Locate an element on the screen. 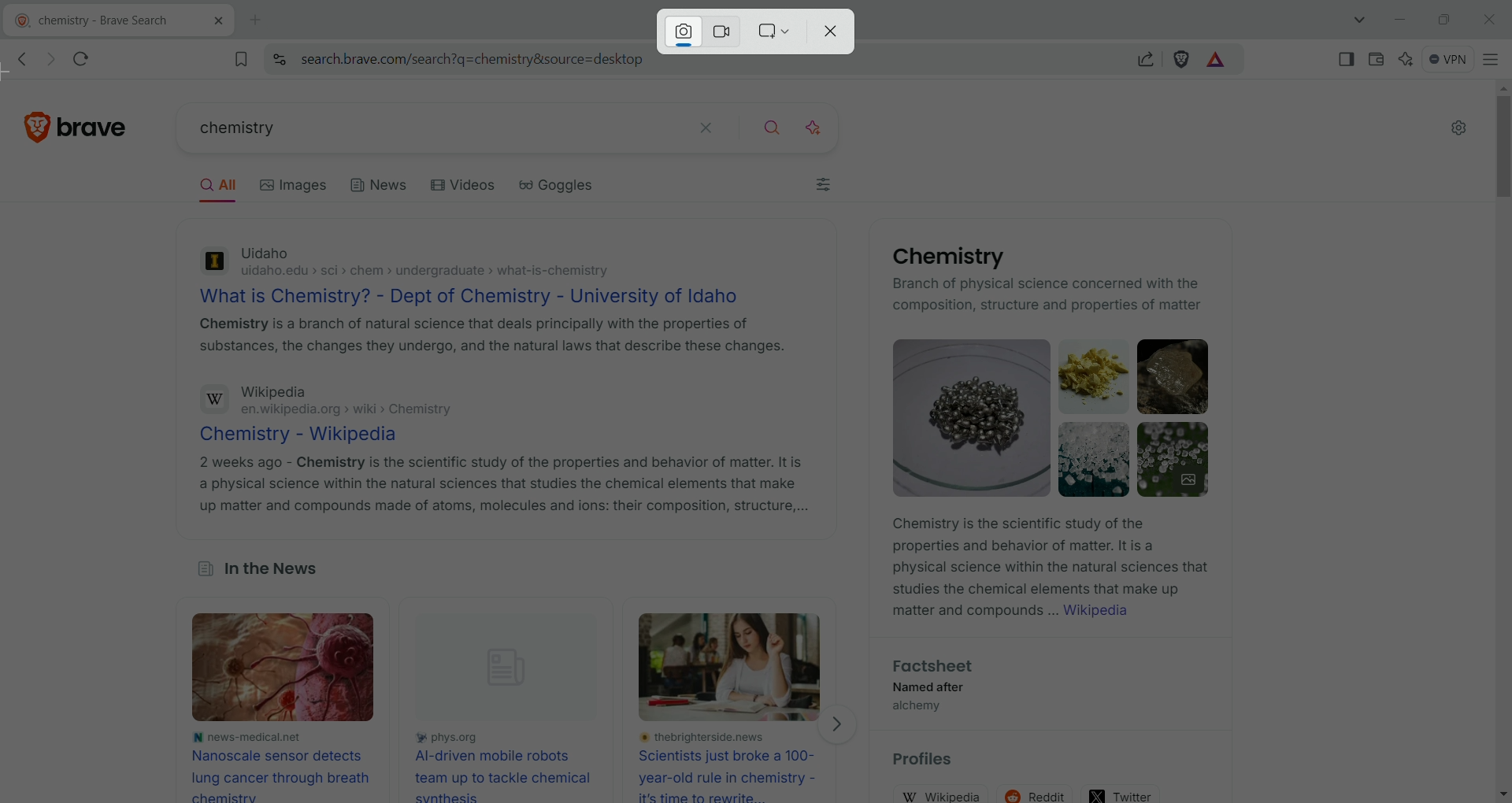  News-medical.net Nanoscale sensor detects lung cancer through breath chemistry is located at coordinates (280, 765).